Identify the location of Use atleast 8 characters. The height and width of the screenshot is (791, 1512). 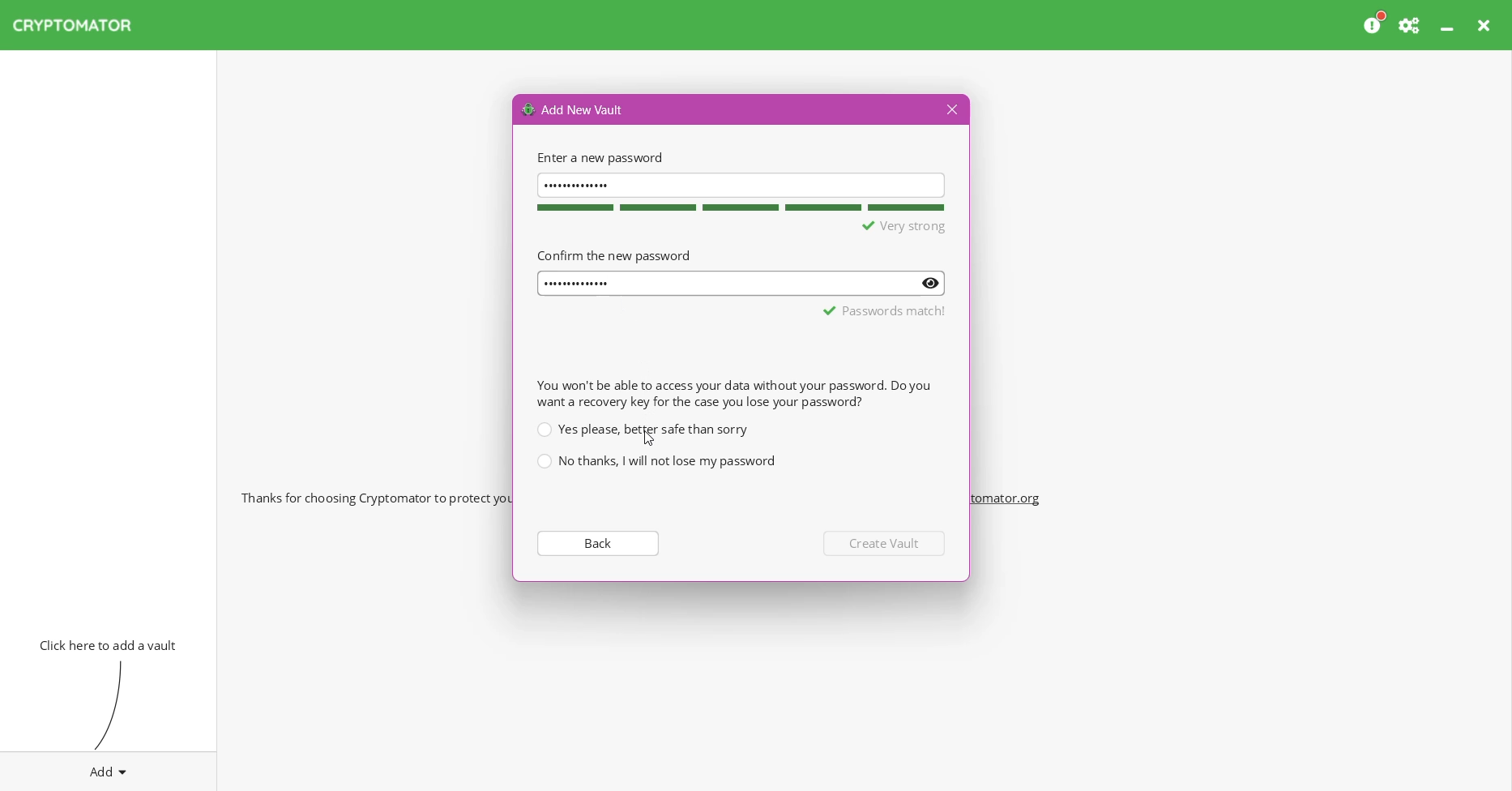
(876, 227).